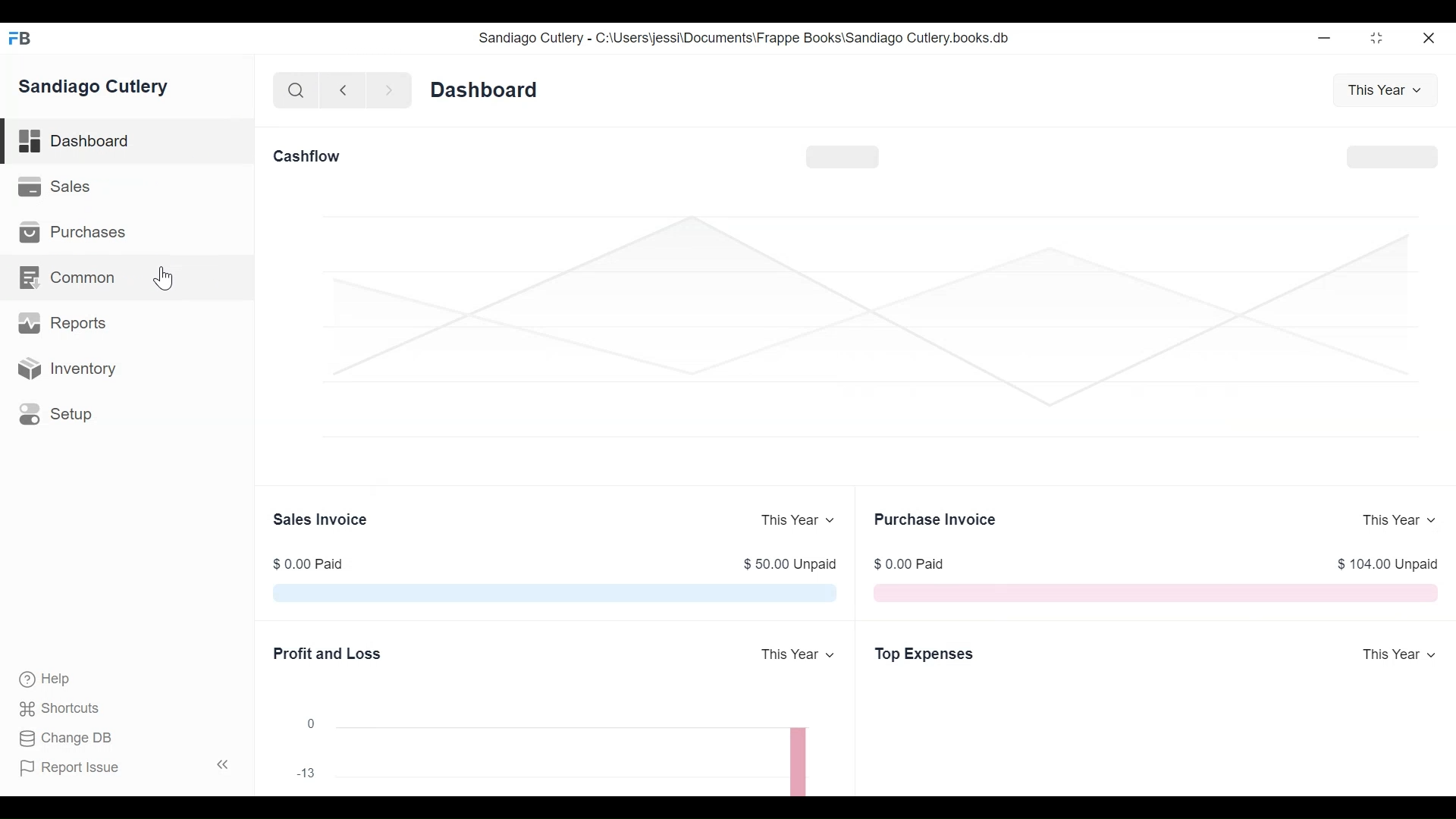 This screenshot has height=819, width=1456. I want to click on Purchase Invoice, so click(937, 519).